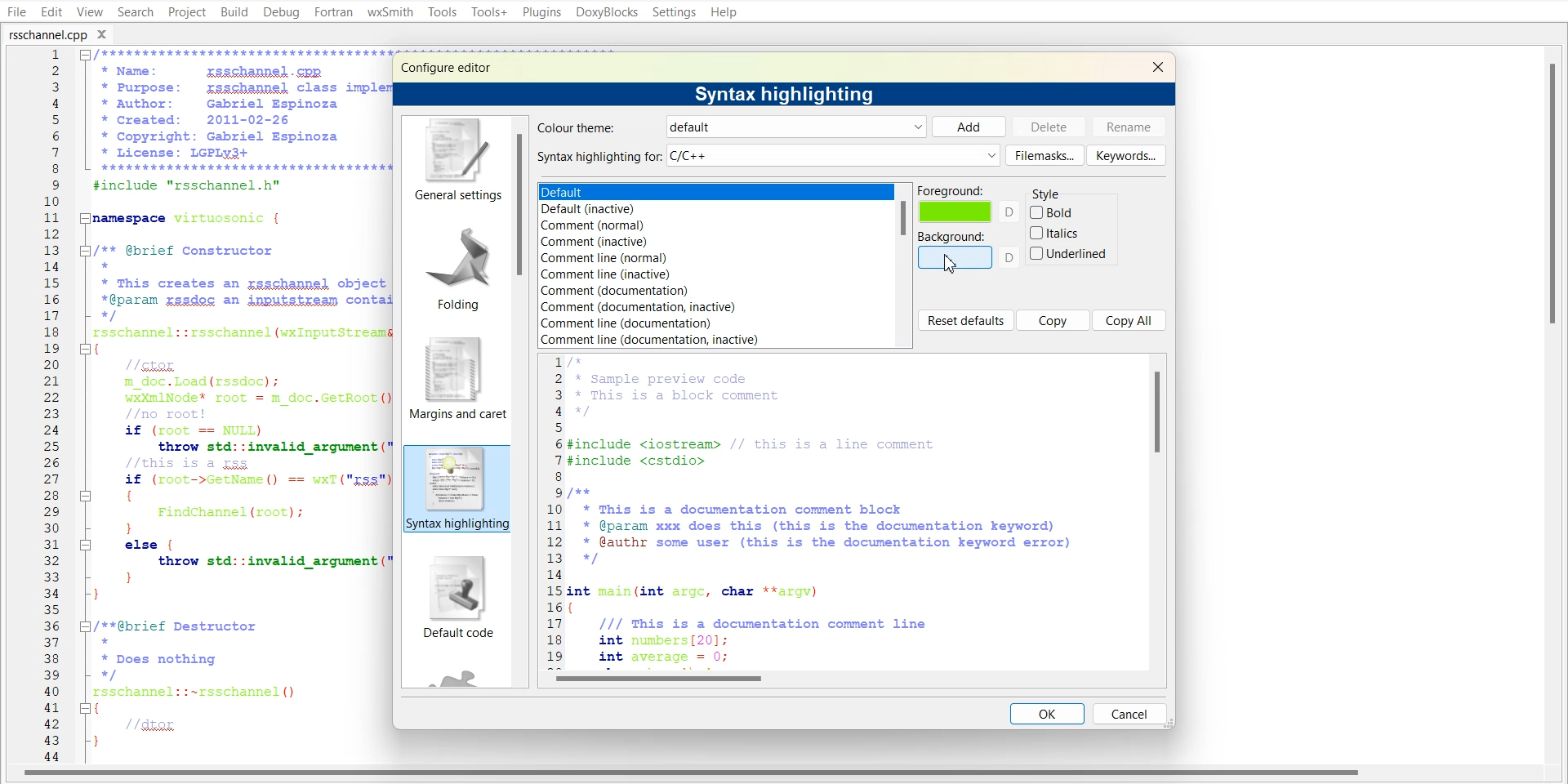  What do you see at coordinates (714, 265) in the screenshot?
I see `EE
Default (inactive)

Comment (normal)

Comment (inactive)

Comment line (normal)

Comment line (inactive)

Comment (documentation)

Comment (documentation, inactive)

Comment line (documentation)

Comment line (documentation, inactive)` at bounding box center [714, 265].